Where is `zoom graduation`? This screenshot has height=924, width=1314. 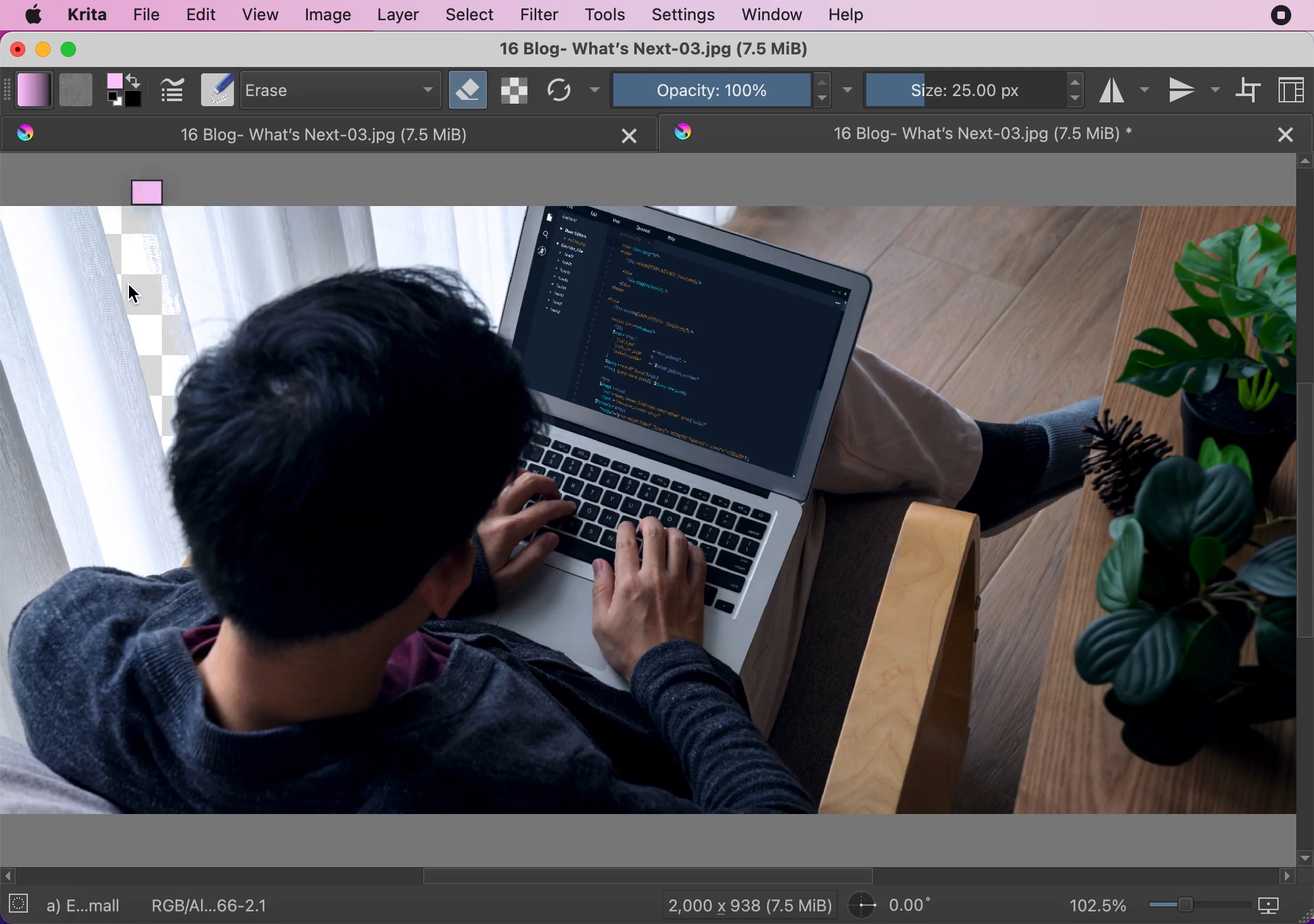 zoom graduation is located at coordinates (1196, 903).